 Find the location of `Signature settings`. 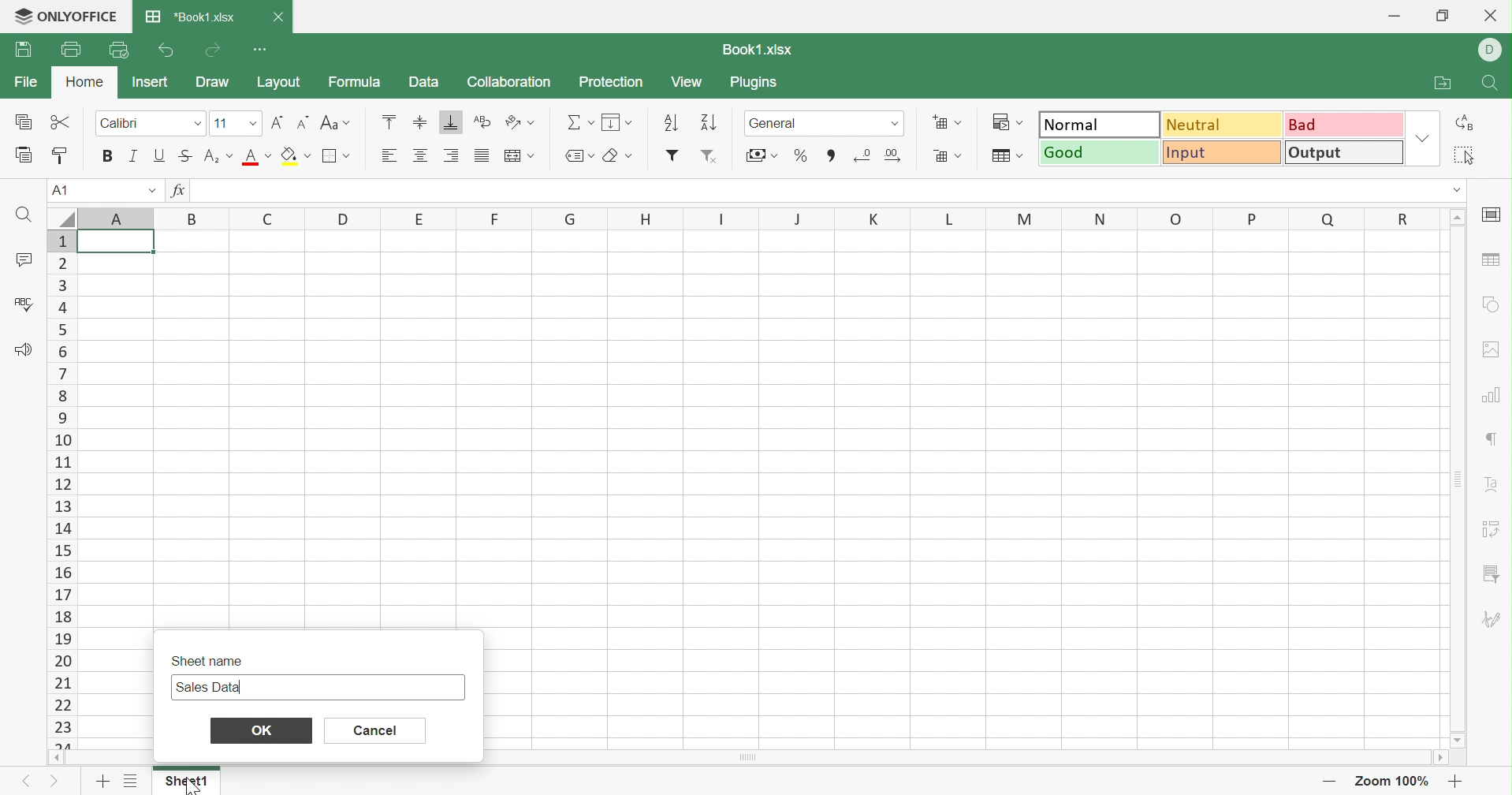

Signature settings is located at coordinates (1488, 625).